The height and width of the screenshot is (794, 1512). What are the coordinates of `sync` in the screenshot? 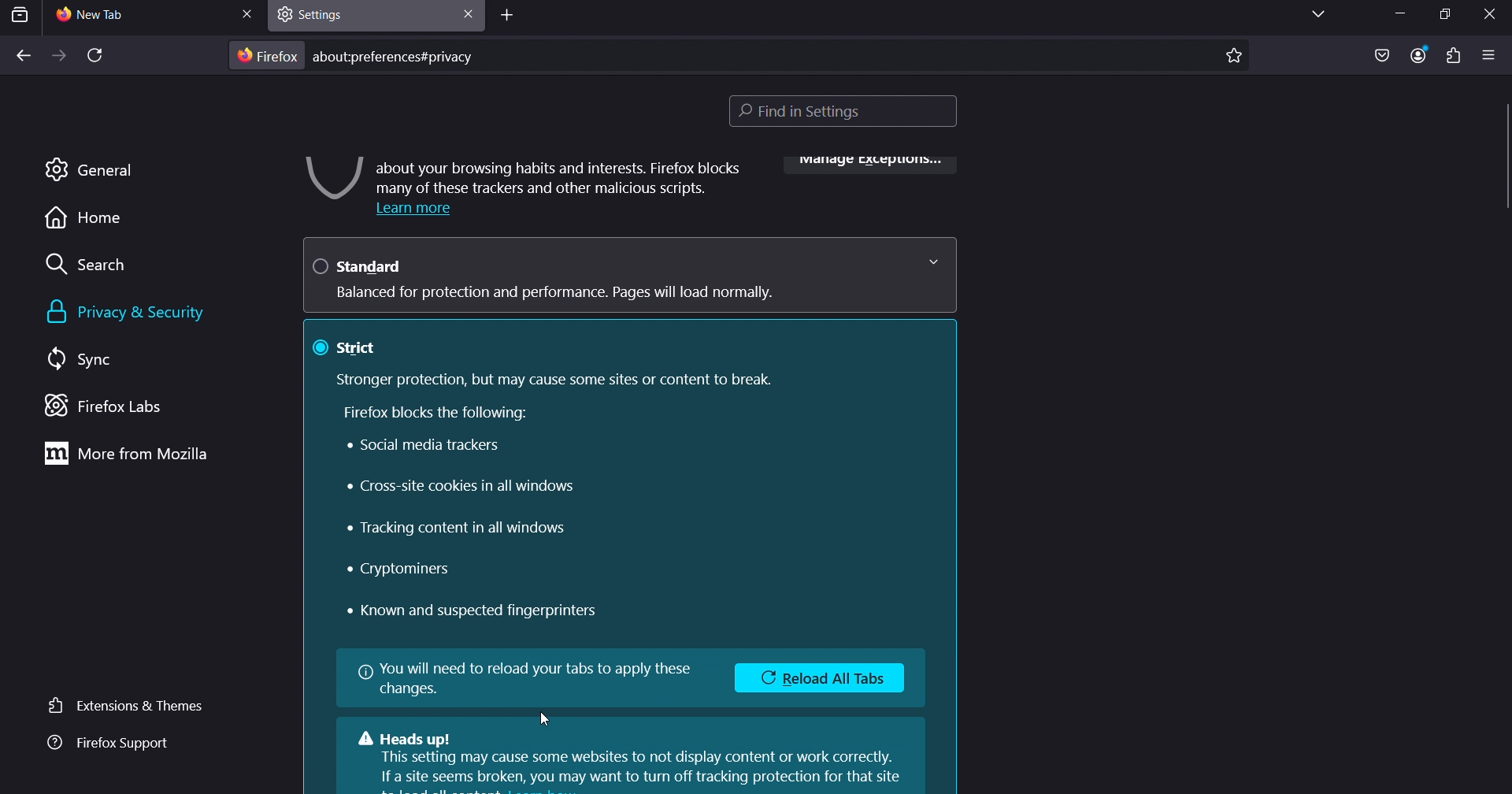 It's located at (83, 360).